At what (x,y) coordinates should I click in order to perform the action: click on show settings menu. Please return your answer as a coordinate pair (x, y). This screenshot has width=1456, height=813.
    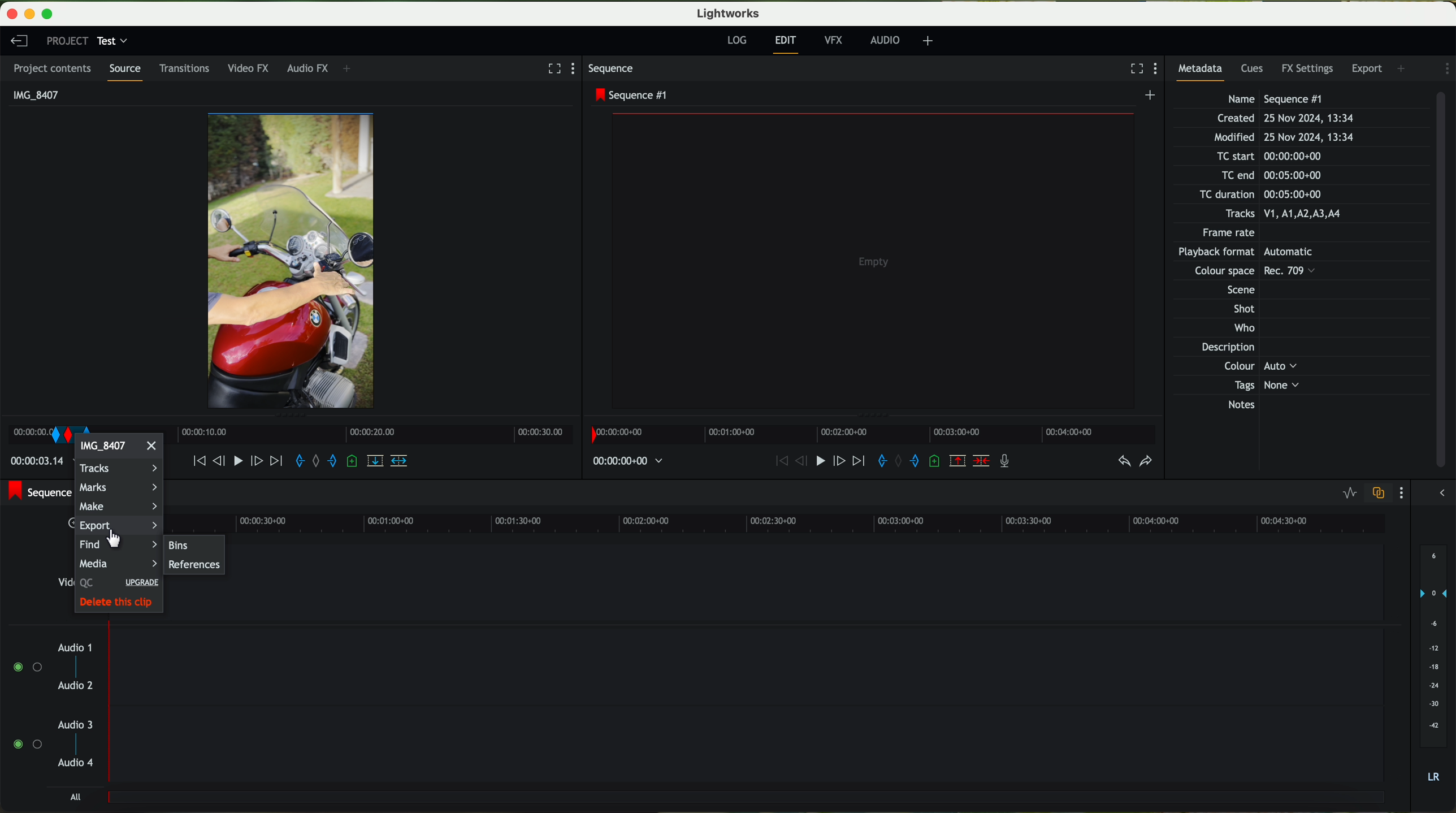
    Looking at the image, I should click on (1404, 493).